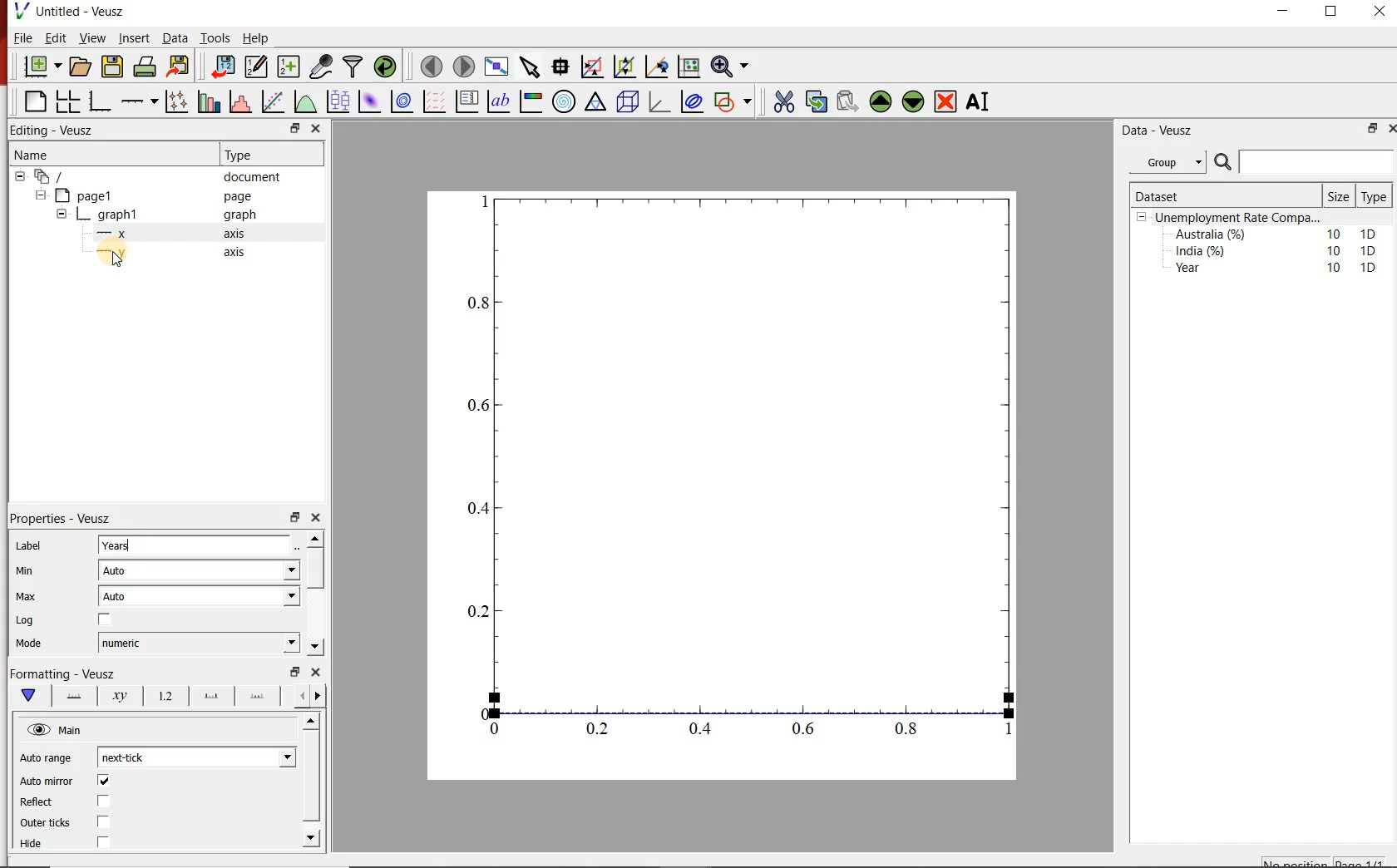 This screenshot has height=868, width=1397. What do you see at coordinates (531, 102) in the screenshot?
I see `image color bar` at bounding box center [531, 102].